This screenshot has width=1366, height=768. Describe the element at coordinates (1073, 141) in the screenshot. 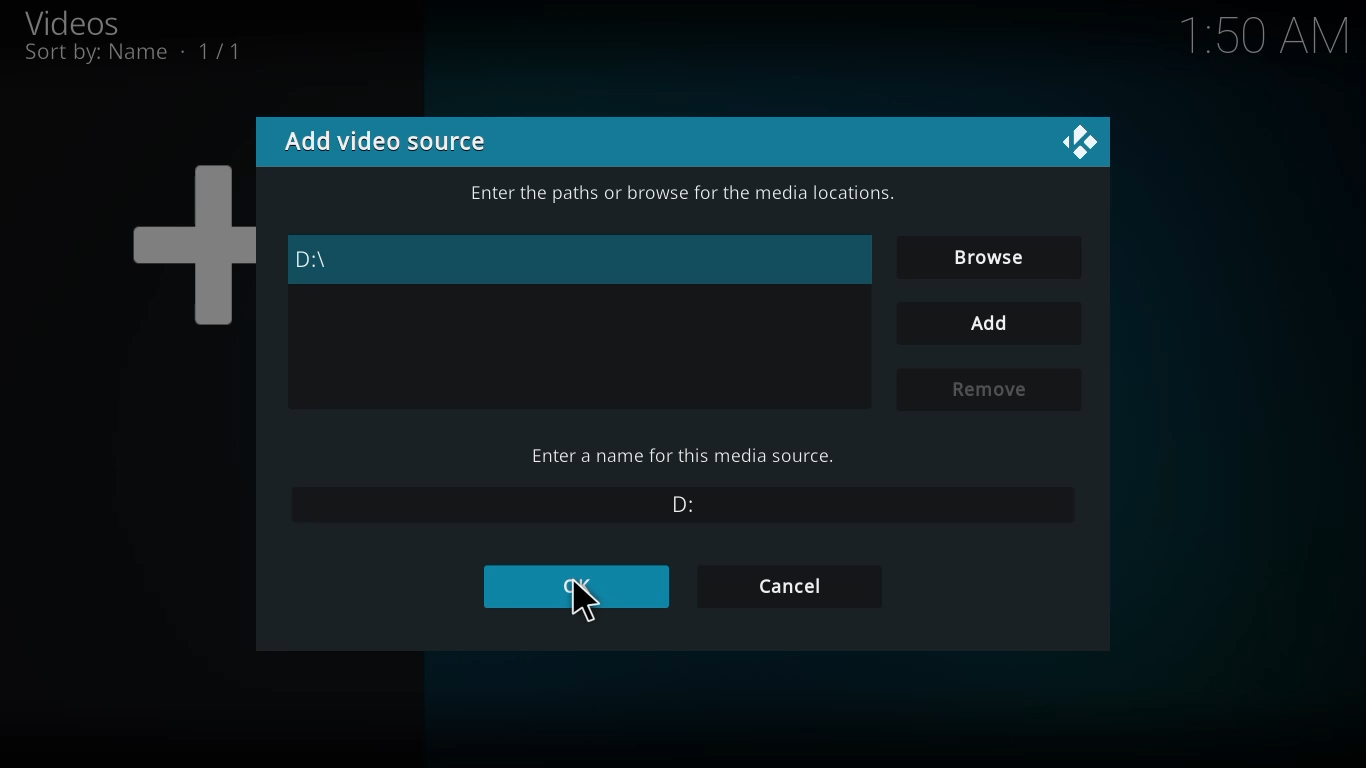

I see `close` at that location.